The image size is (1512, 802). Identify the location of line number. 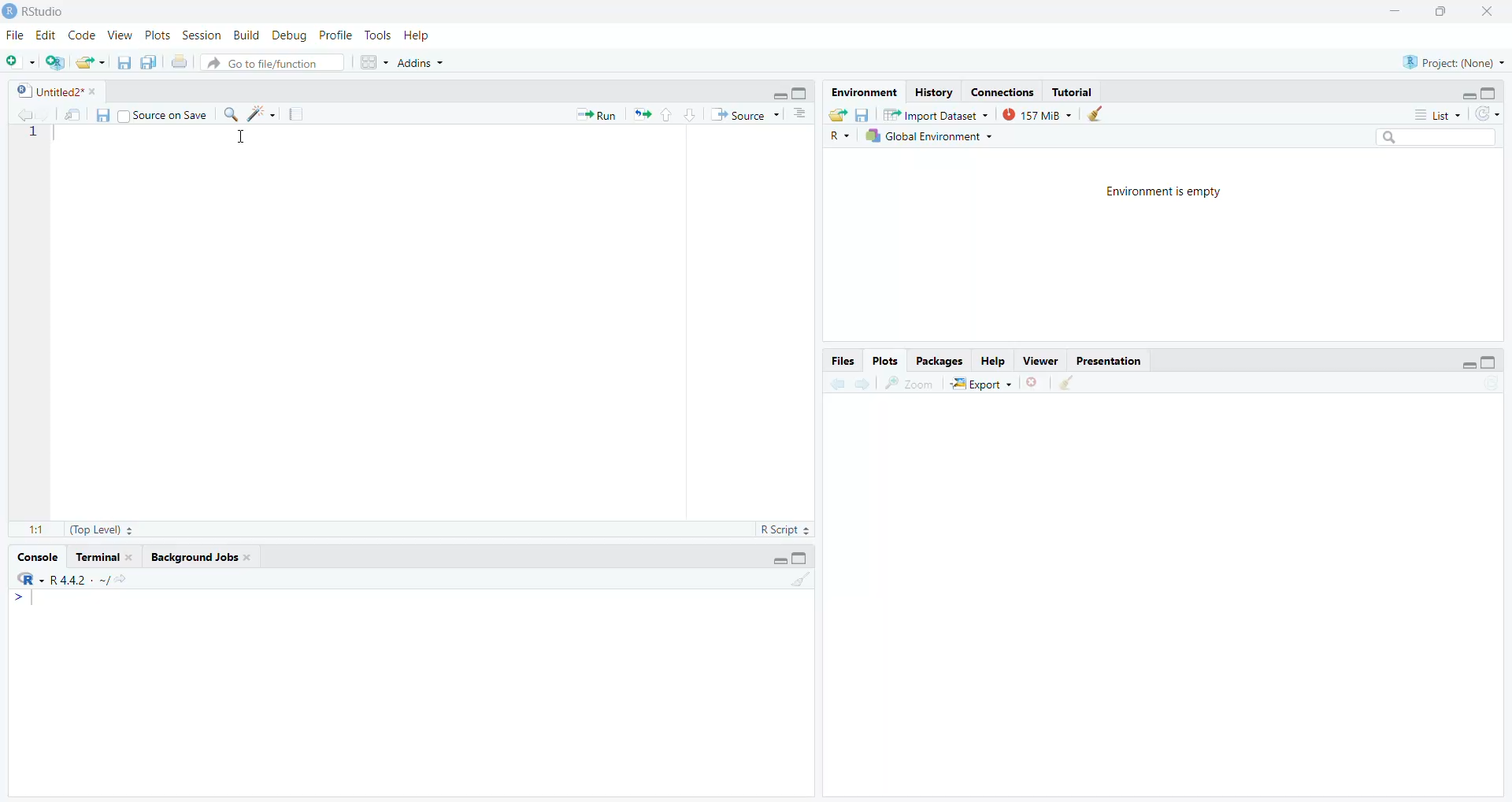
(31, 134).